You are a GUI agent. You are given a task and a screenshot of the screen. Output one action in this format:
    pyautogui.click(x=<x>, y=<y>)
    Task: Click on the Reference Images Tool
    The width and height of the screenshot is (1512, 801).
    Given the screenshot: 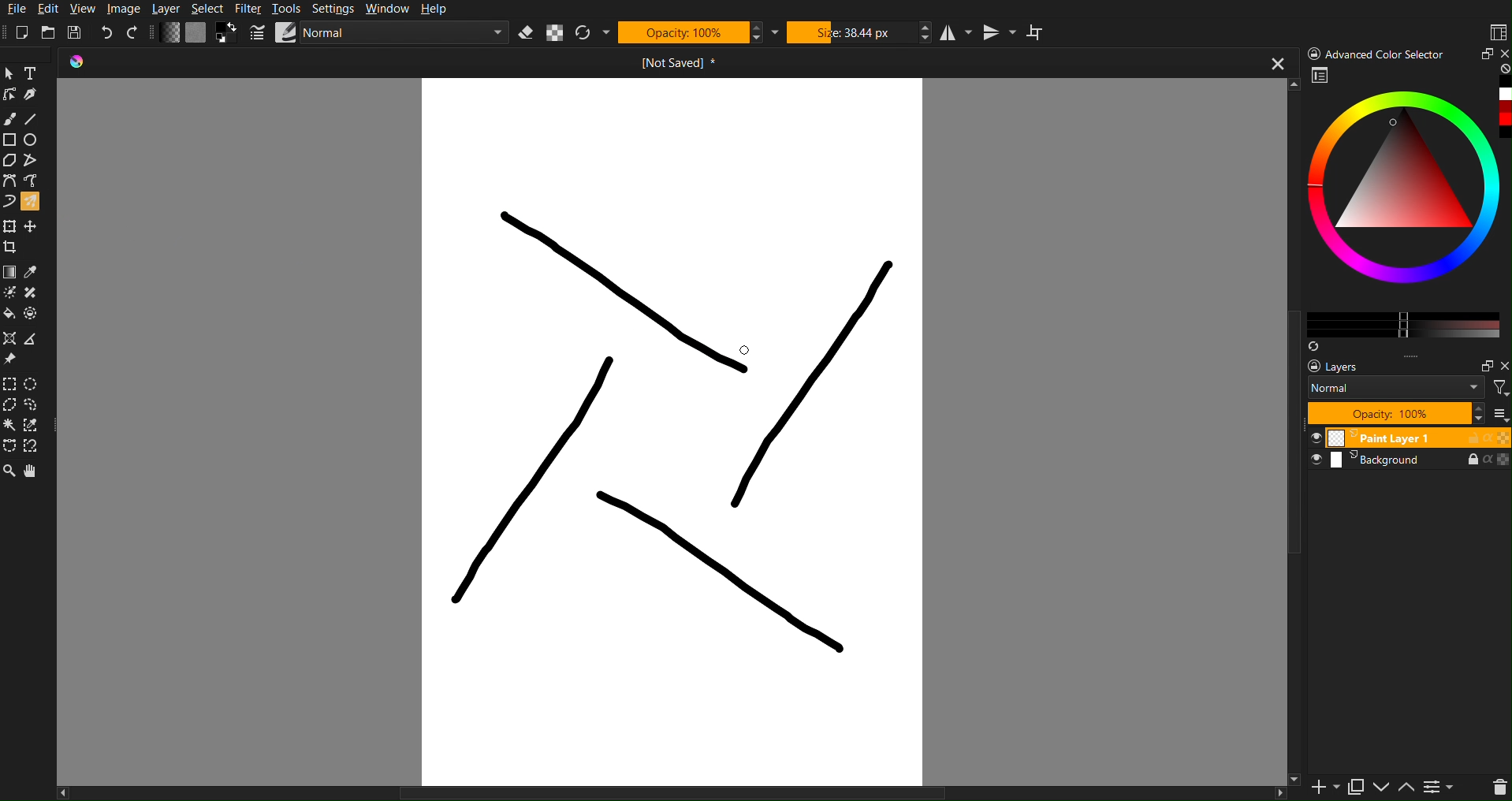 What is the action you would take?
    pyautogui.click(x=11, y=360)
    